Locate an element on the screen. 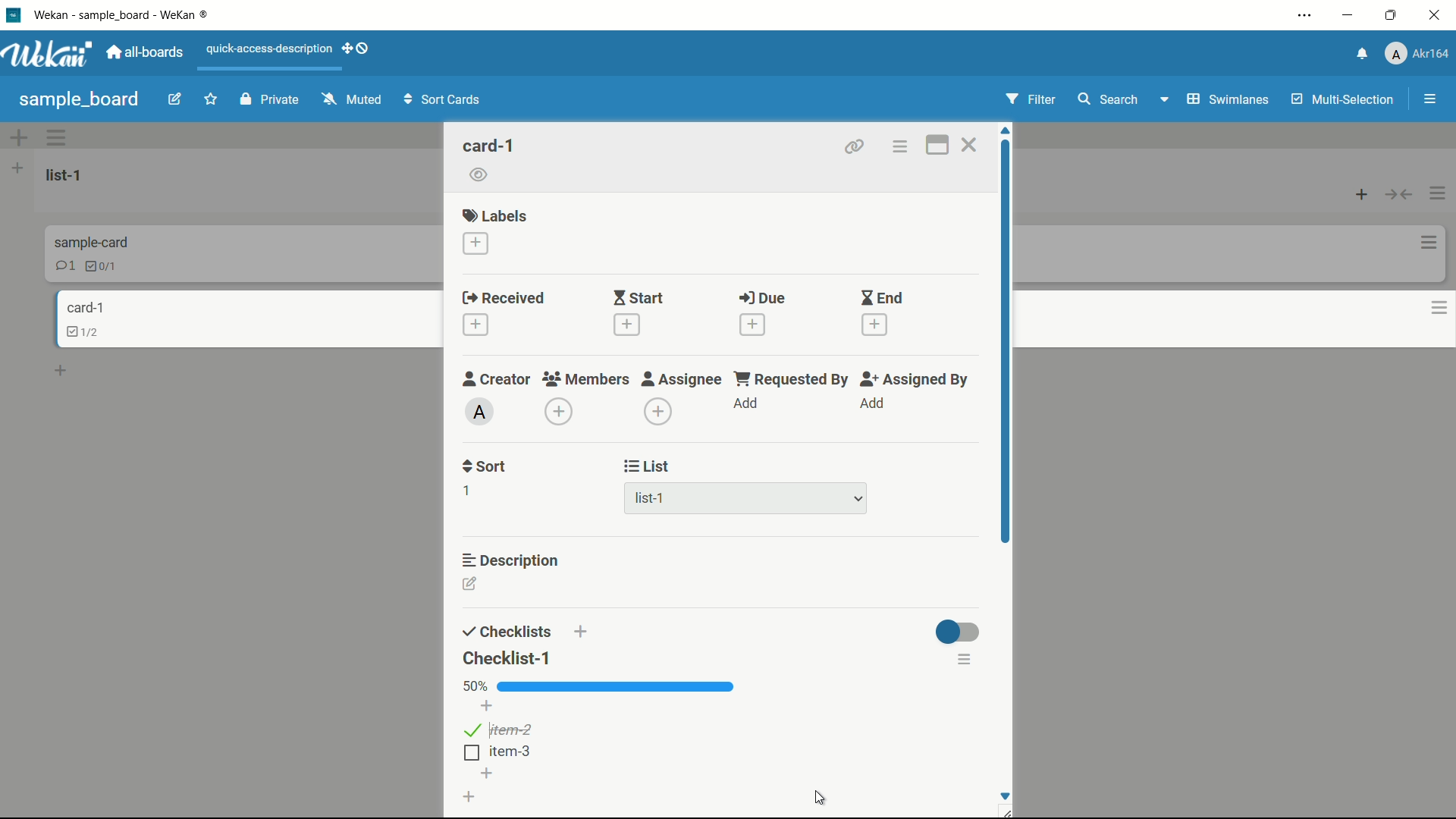 This screenshot has width=1456, height=819. muted is located at coordinates (353, 99).